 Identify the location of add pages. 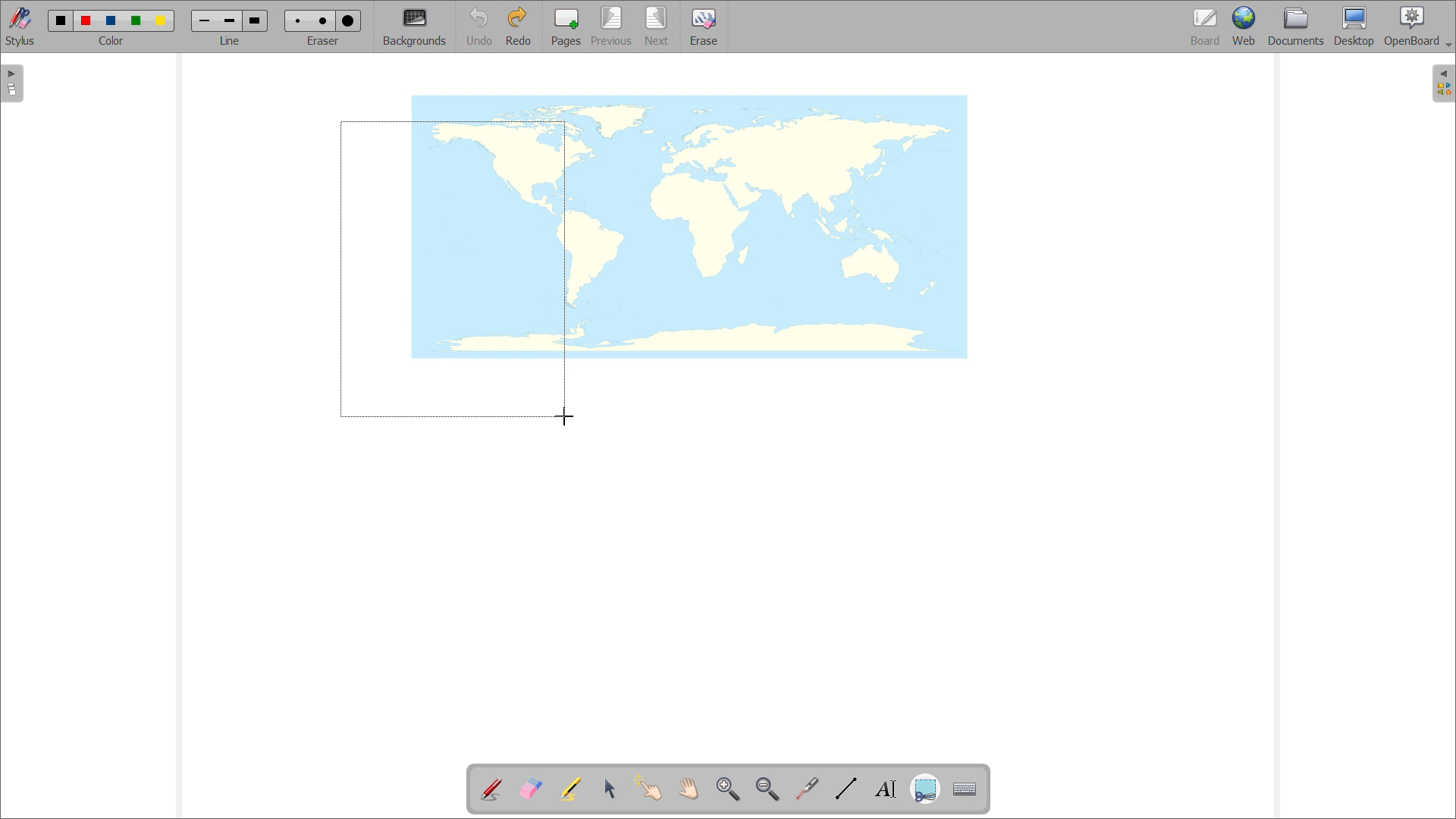
(566, 27).